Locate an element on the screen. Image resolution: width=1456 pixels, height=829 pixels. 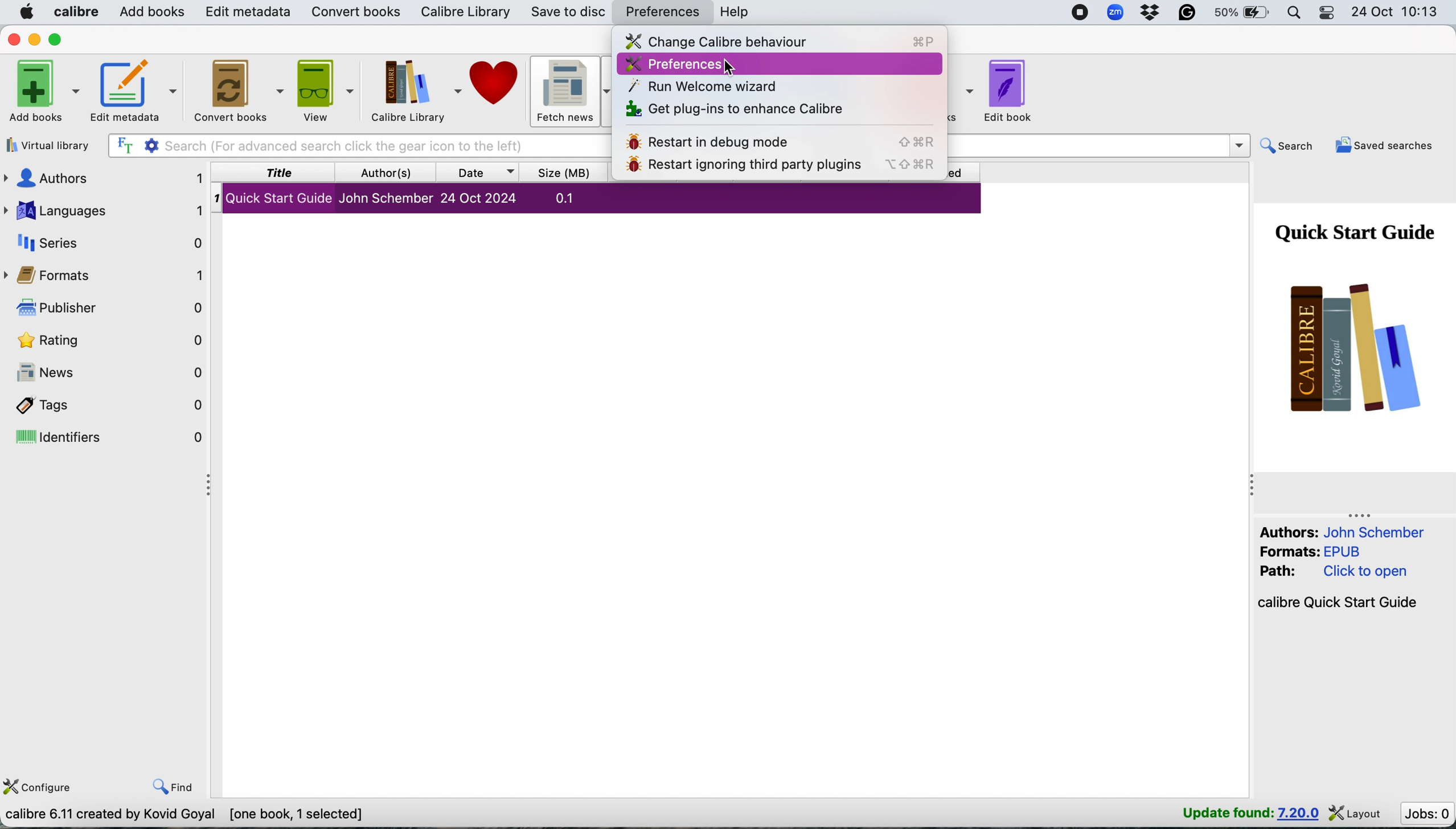
control center is located at coordinates (1327, 14).